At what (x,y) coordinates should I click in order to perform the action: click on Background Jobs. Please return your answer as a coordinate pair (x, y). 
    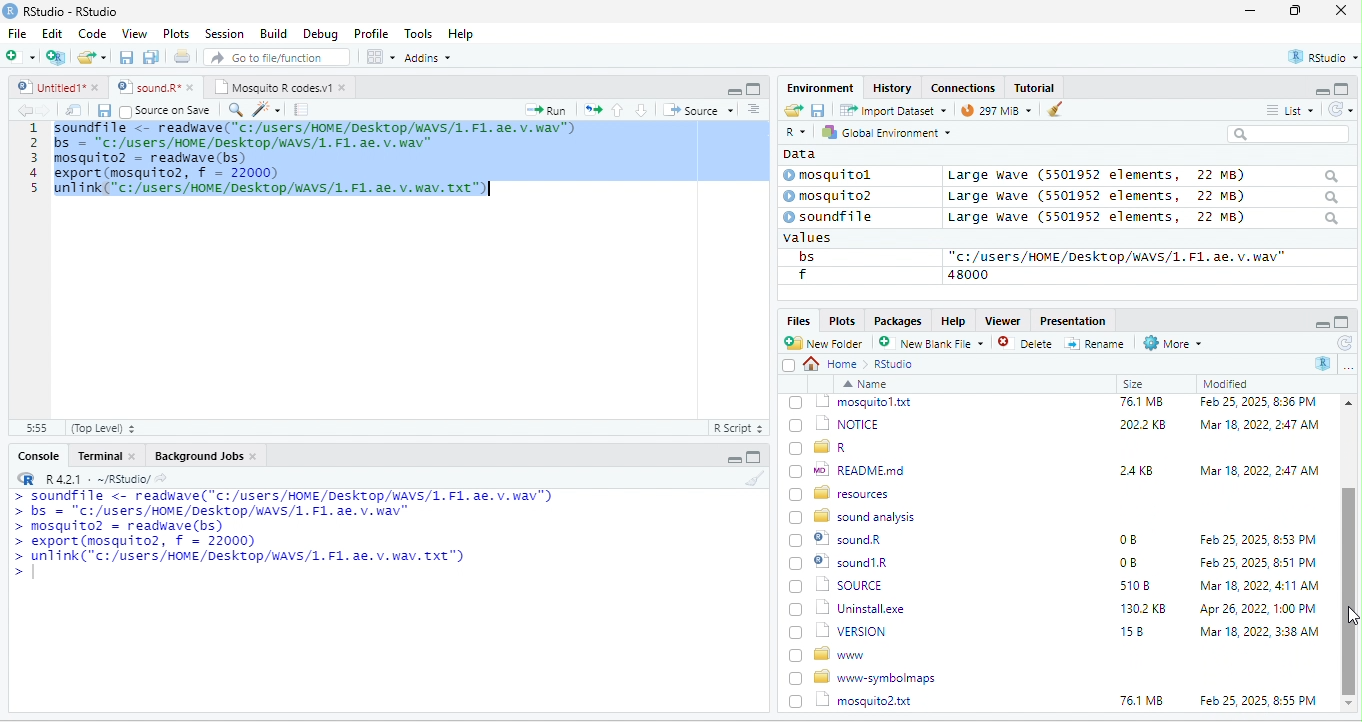
    Looking at the image, I should click on (205, 455).